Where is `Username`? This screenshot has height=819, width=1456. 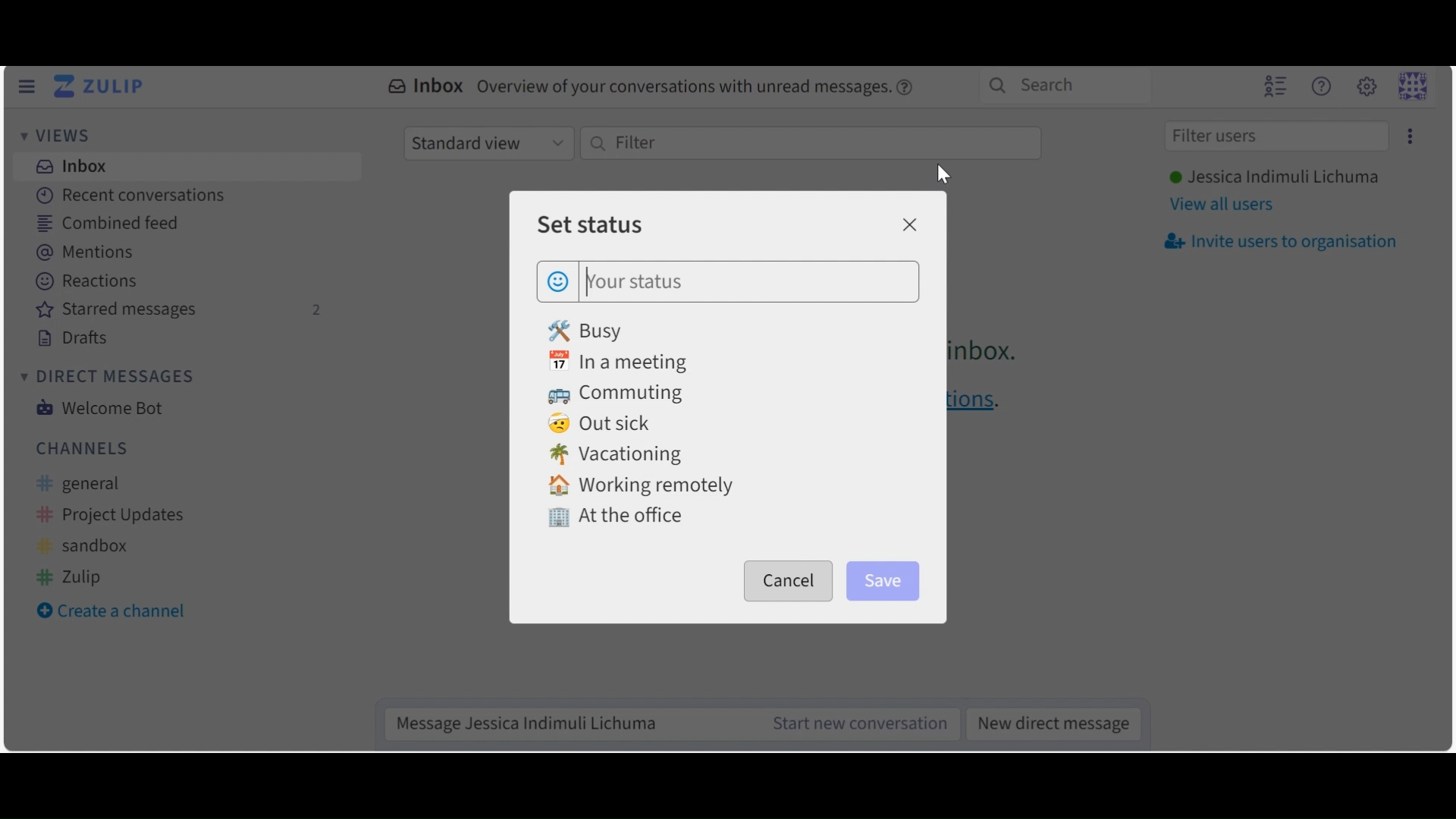
Username is located at coordinates (1272, 178).